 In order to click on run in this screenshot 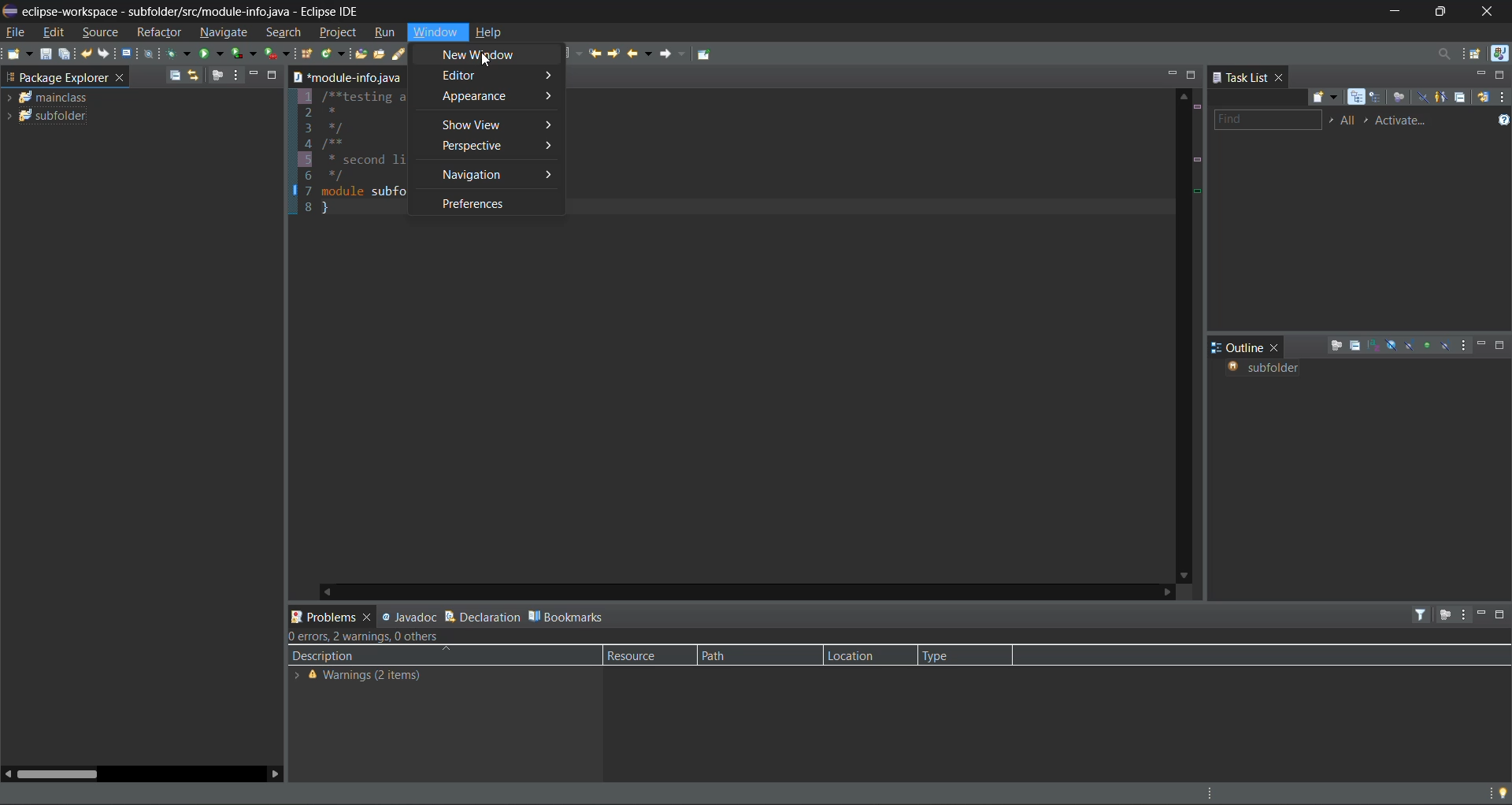, I will do `click(212, 55)`.